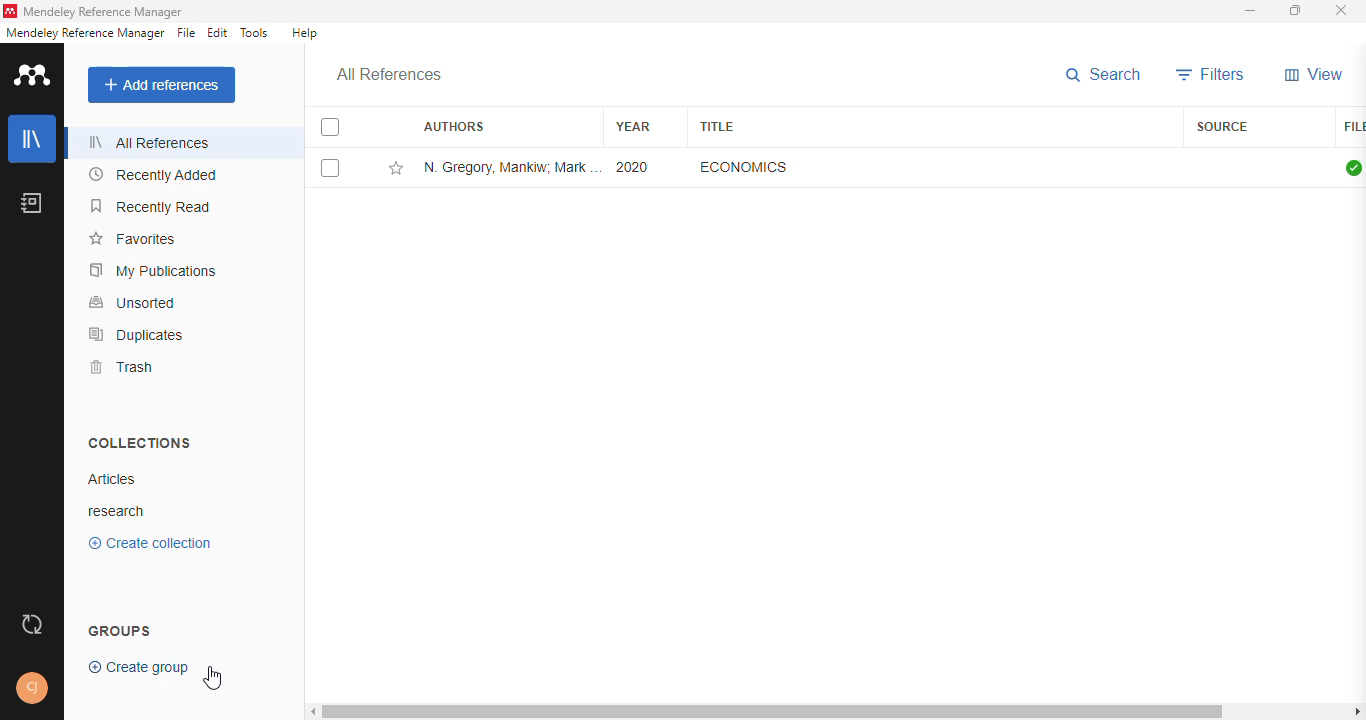 This screenshot has width=1366, height=720. I want to click on select, so click(330, 169).